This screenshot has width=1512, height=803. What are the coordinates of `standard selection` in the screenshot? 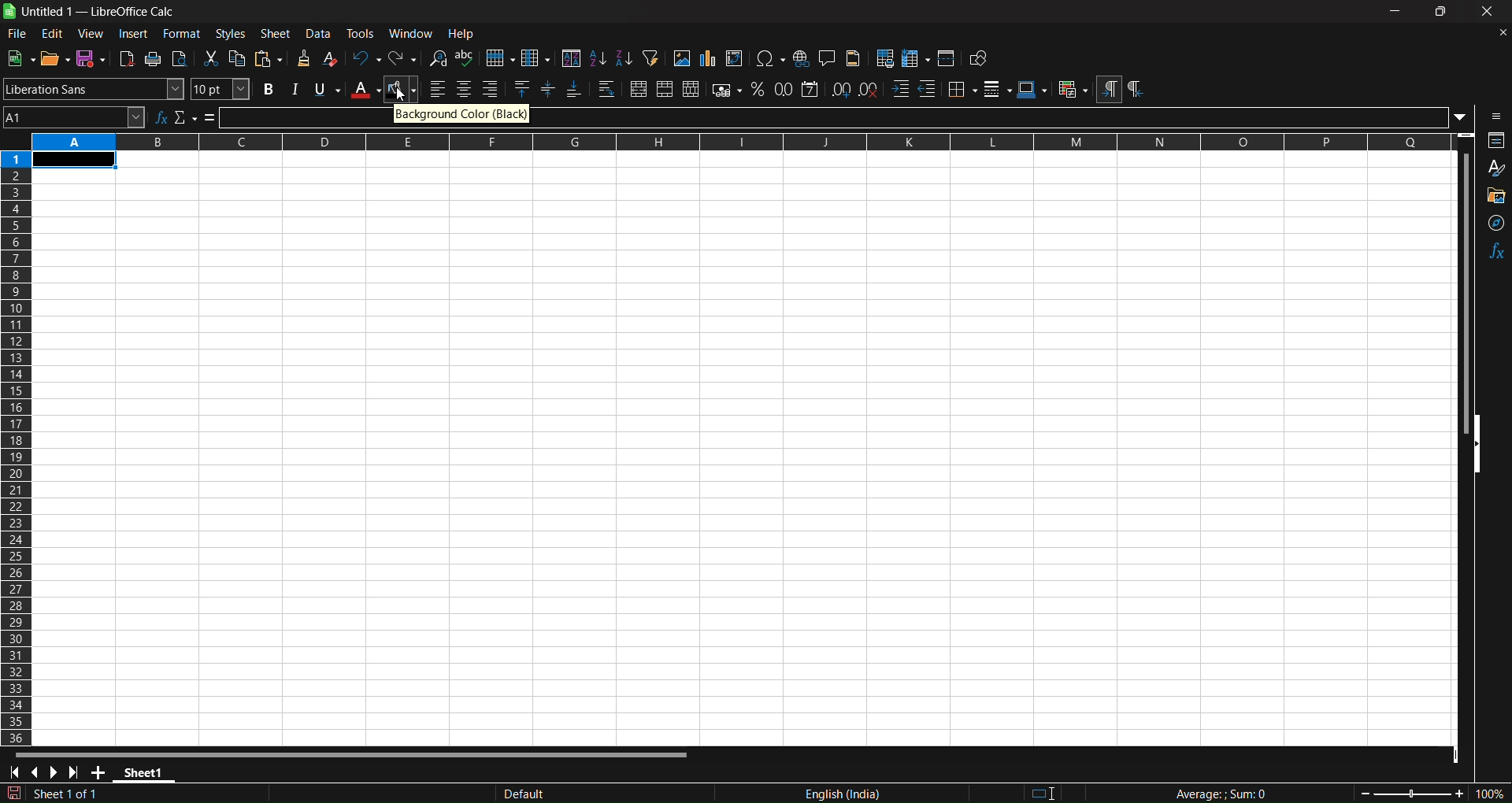 It's located at (1051, 791).